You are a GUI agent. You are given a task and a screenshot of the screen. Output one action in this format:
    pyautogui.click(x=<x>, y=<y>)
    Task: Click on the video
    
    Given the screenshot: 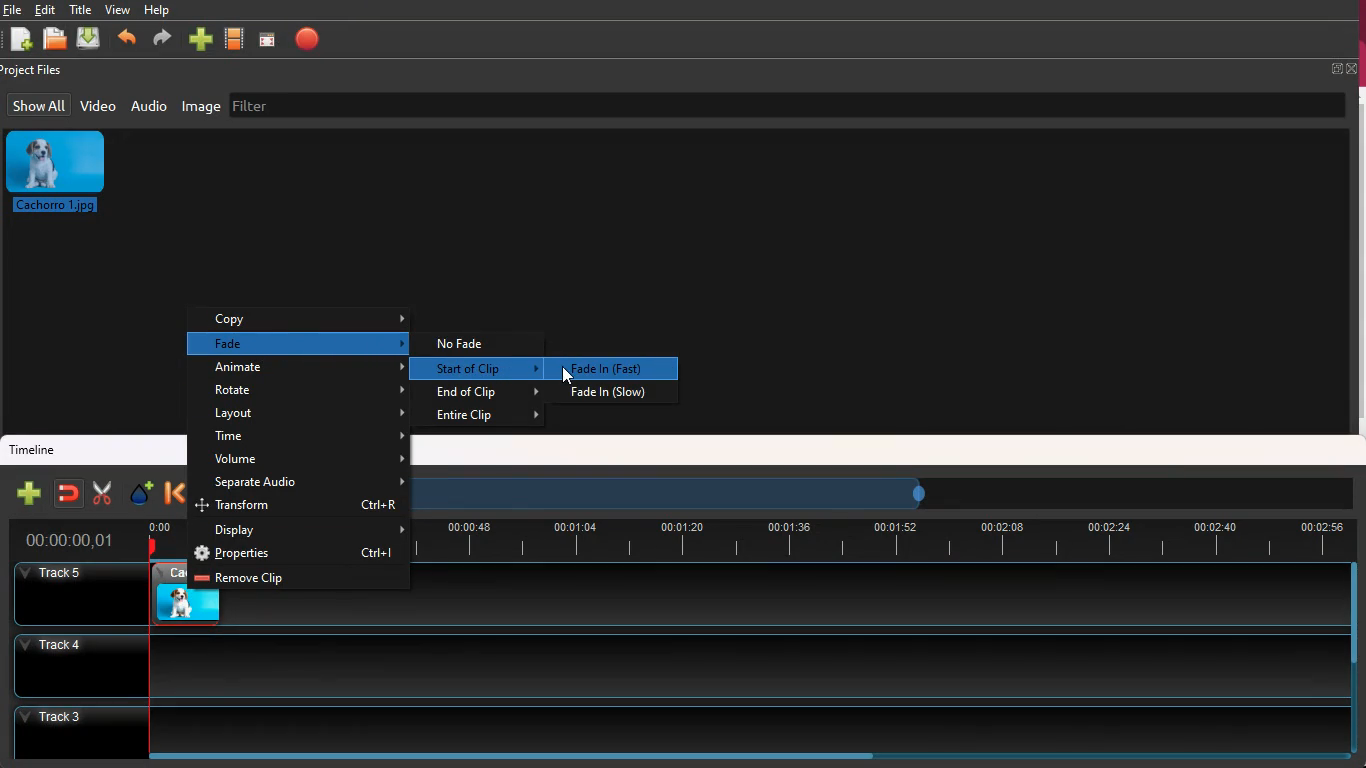 What is the action you would take?
    pyautogui.click(x=170, y=591)
    